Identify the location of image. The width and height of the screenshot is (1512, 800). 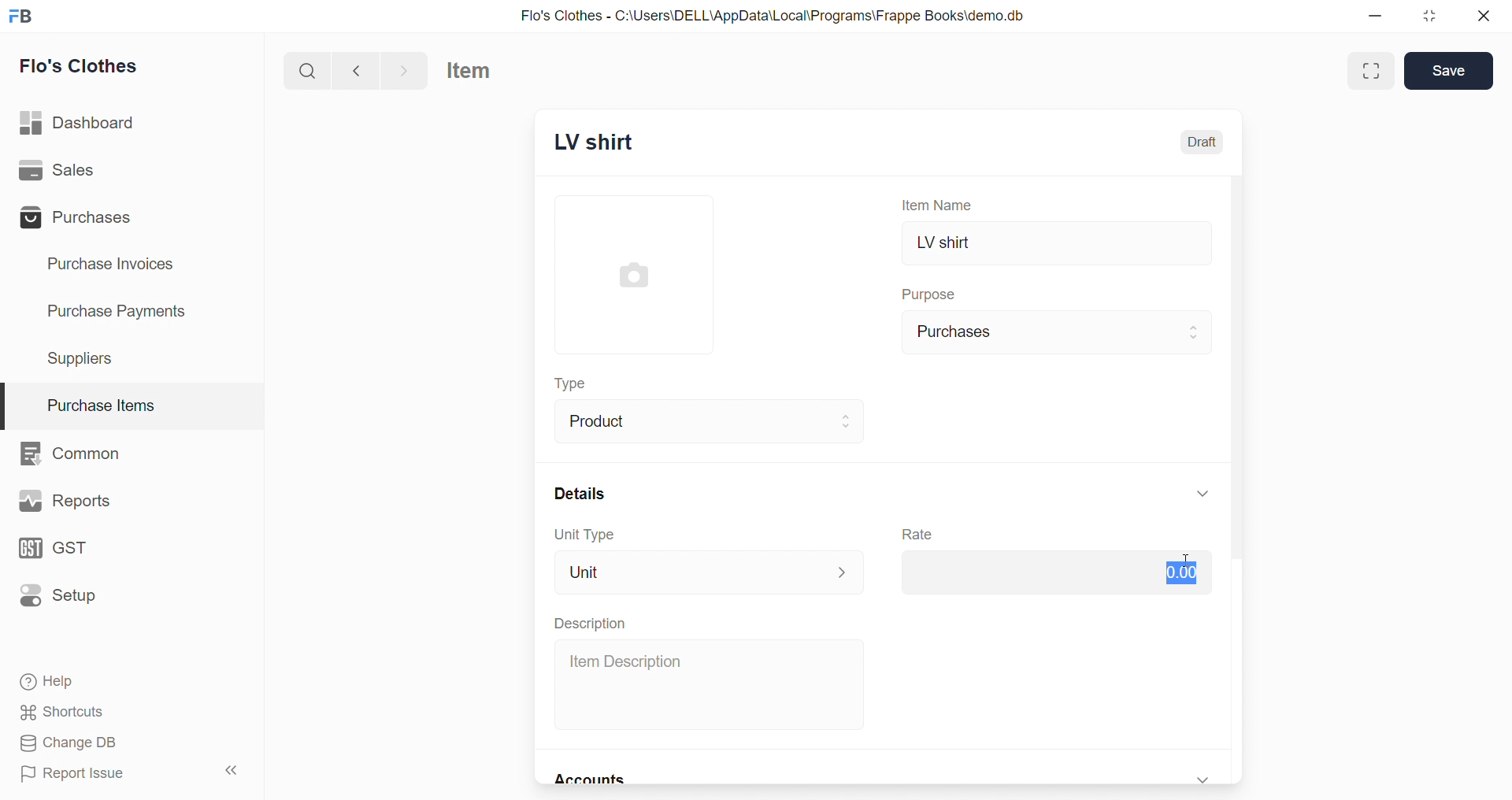
(637, 275).